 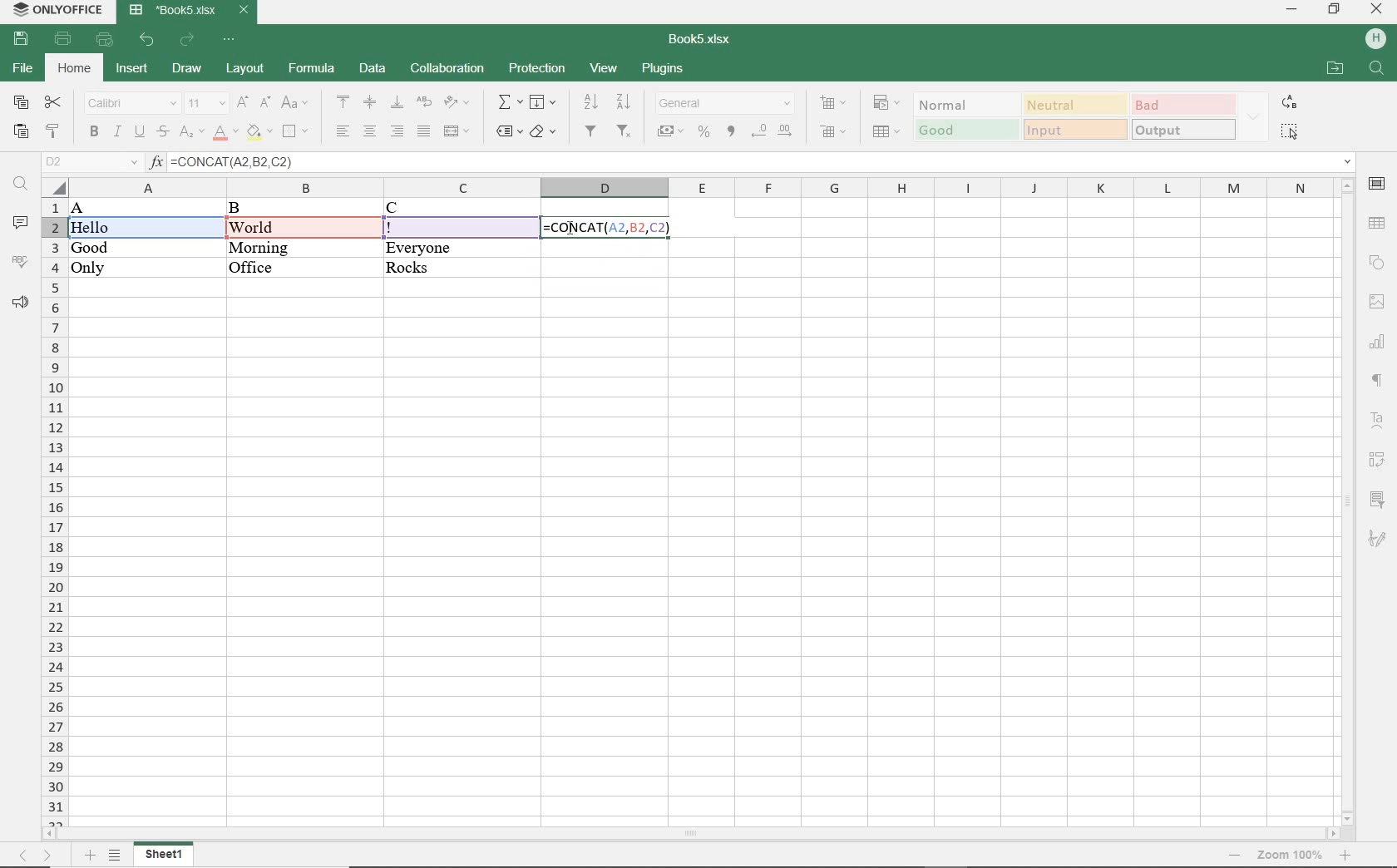 I want to click on ALIGN BOTTOM, so click(x=397, y=104).